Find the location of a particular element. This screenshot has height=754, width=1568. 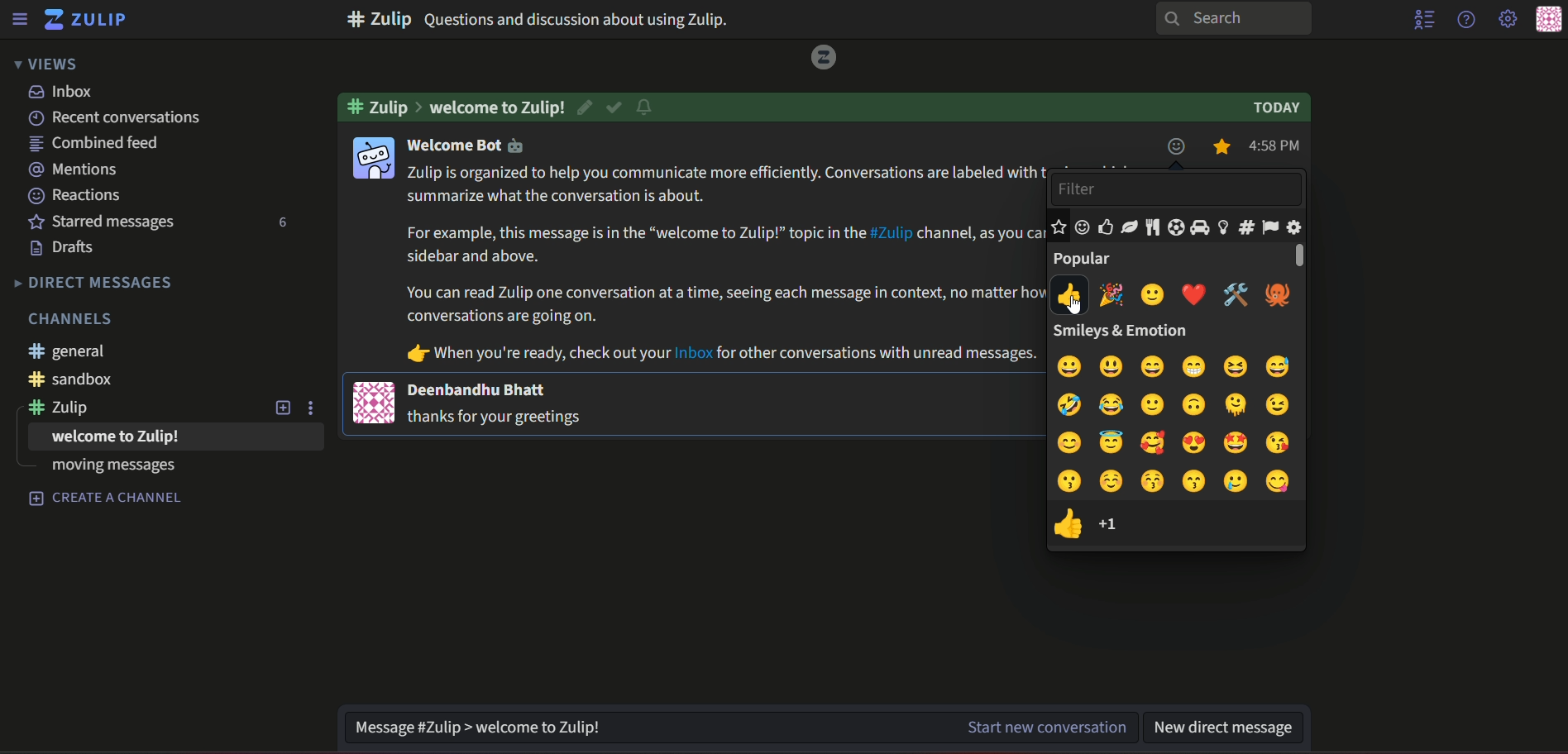

Cursor is located at coordinates (1076, 302).